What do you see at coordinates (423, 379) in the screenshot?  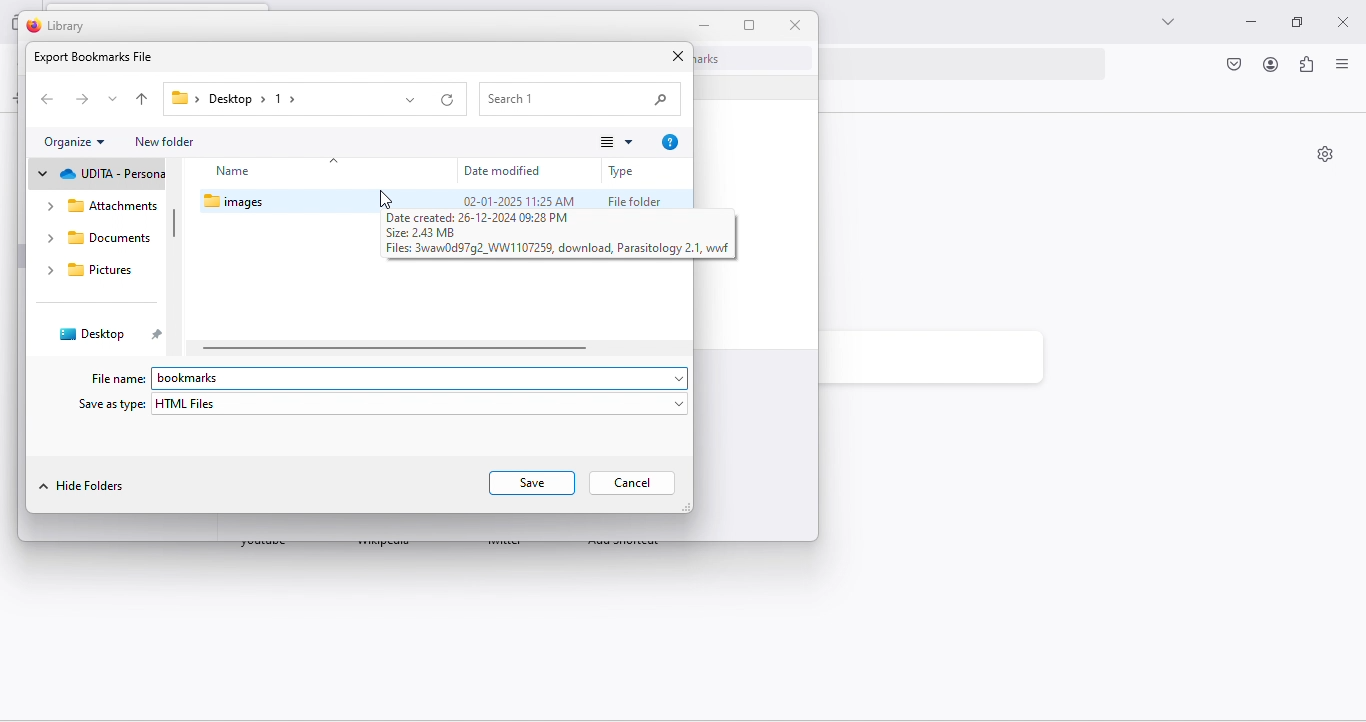 I see `bookmarks` at bounding box center [423, 379].